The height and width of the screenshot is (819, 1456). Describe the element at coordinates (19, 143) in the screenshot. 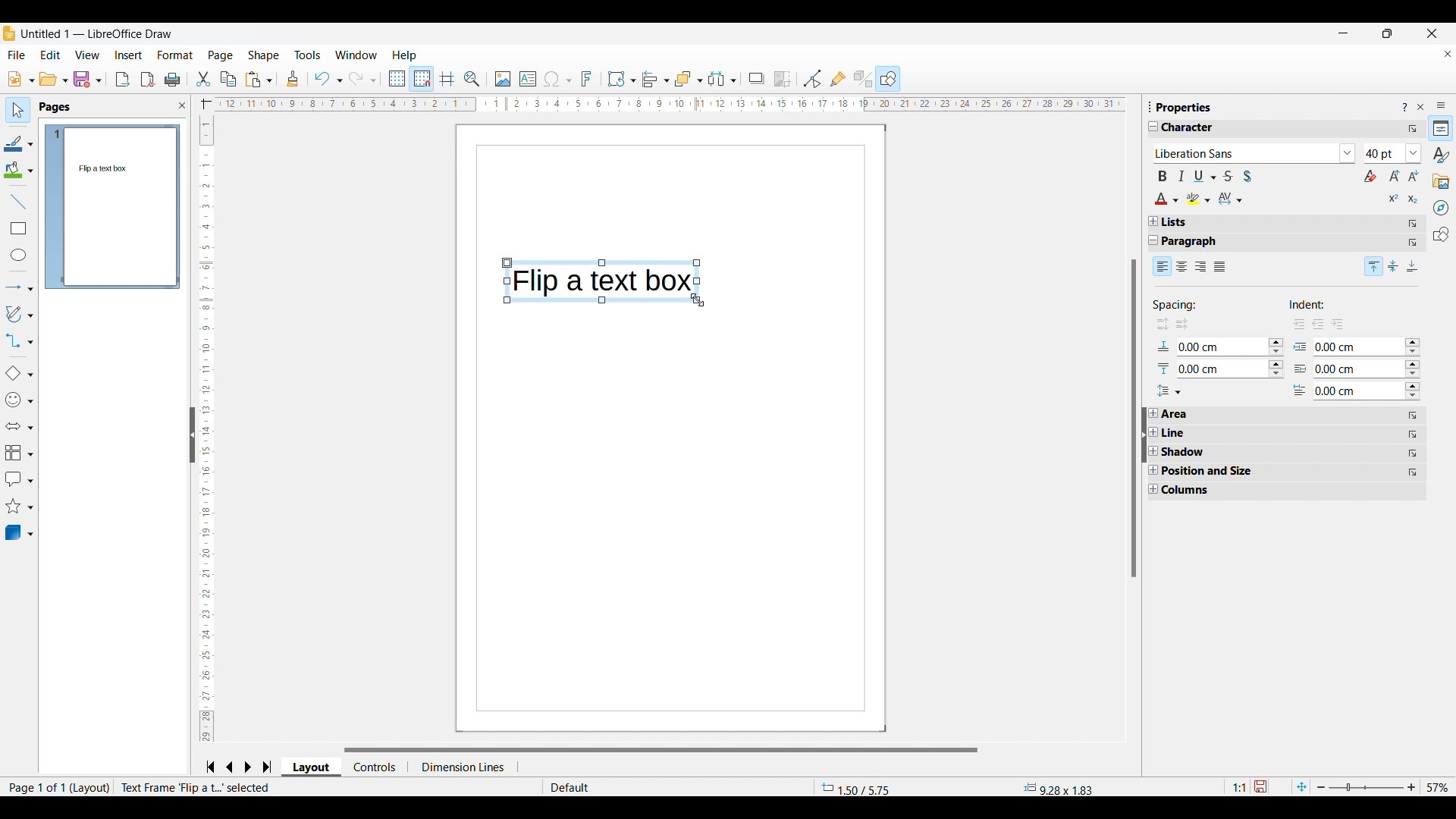

I see `Line color options` at that location.